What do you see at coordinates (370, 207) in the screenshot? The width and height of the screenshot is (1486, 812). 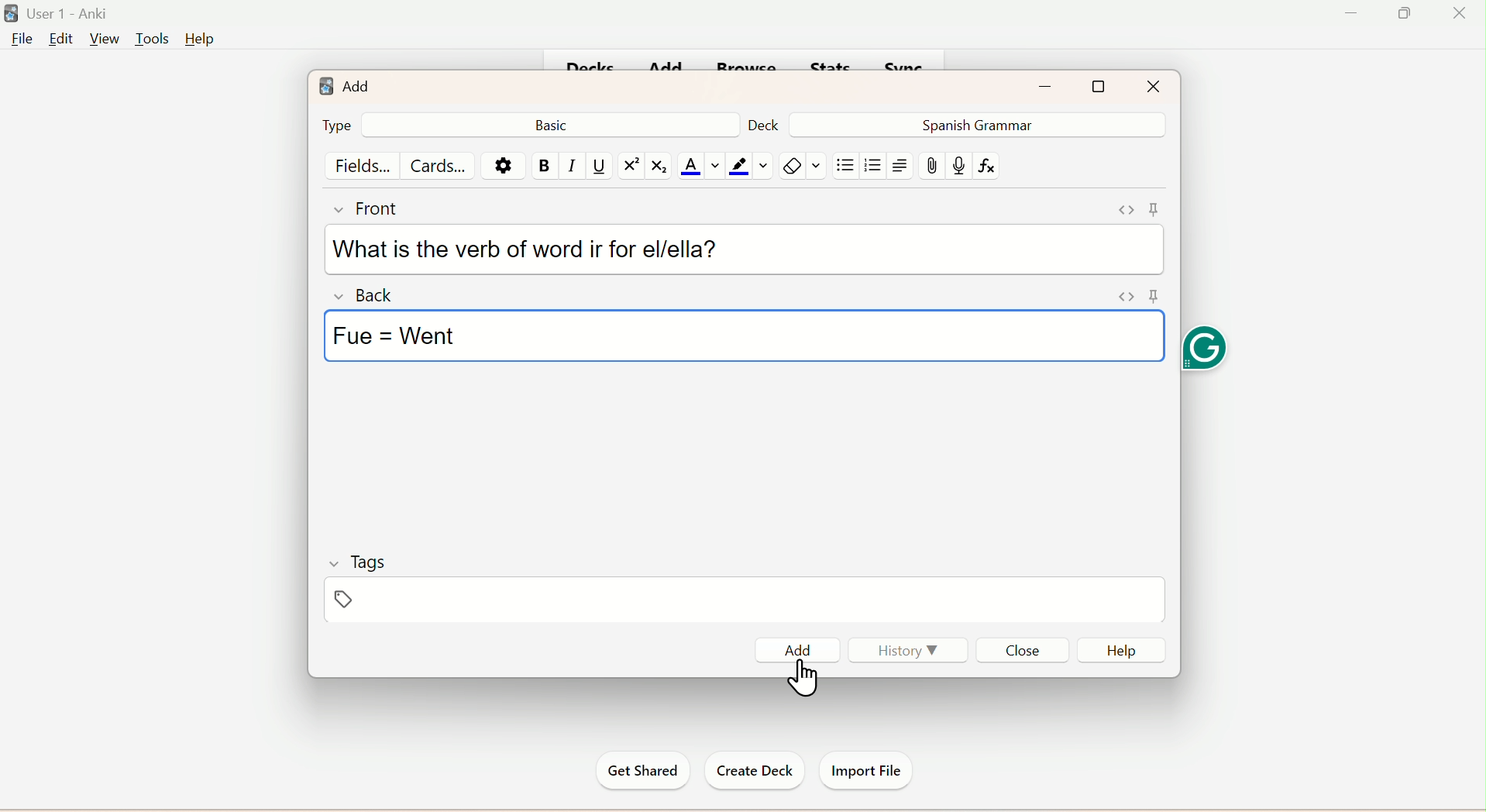 I see `Front` at bounding box center [370, 207].